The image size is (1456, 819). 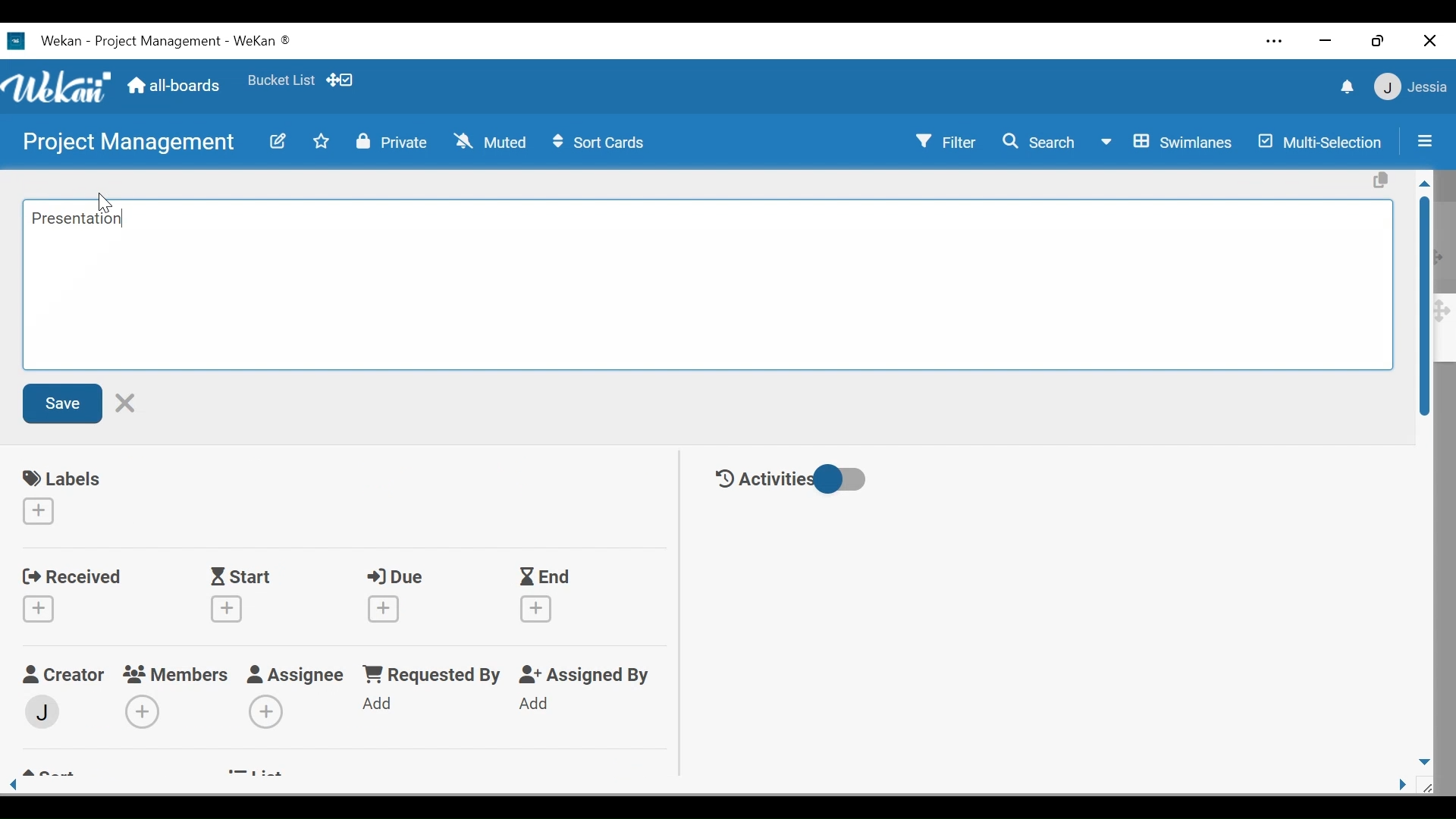 I want to click on Edit card Title, so click(x=708, y=283).